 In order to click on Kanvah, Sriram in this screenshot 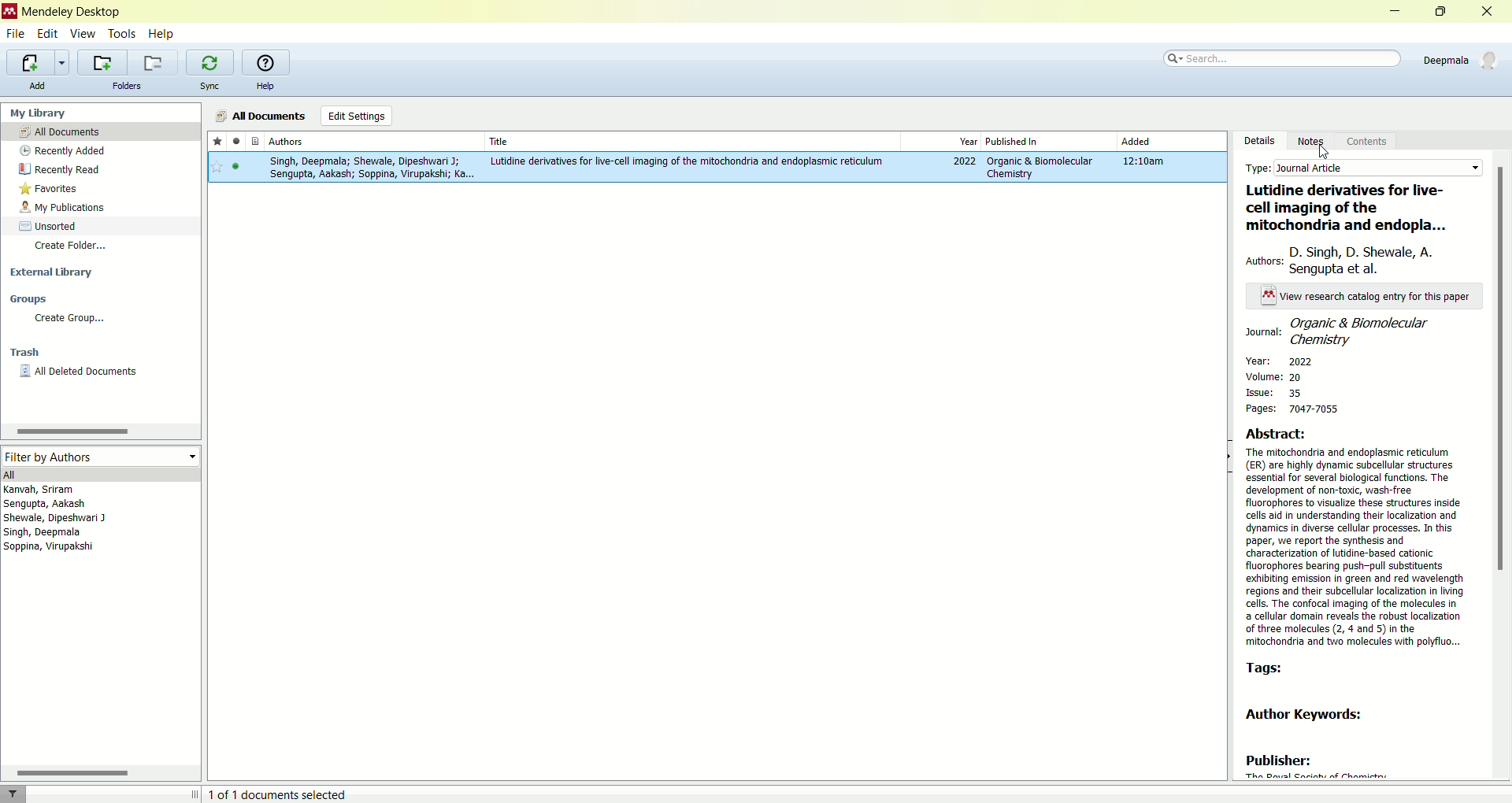, I will do `click(83, 489)`.